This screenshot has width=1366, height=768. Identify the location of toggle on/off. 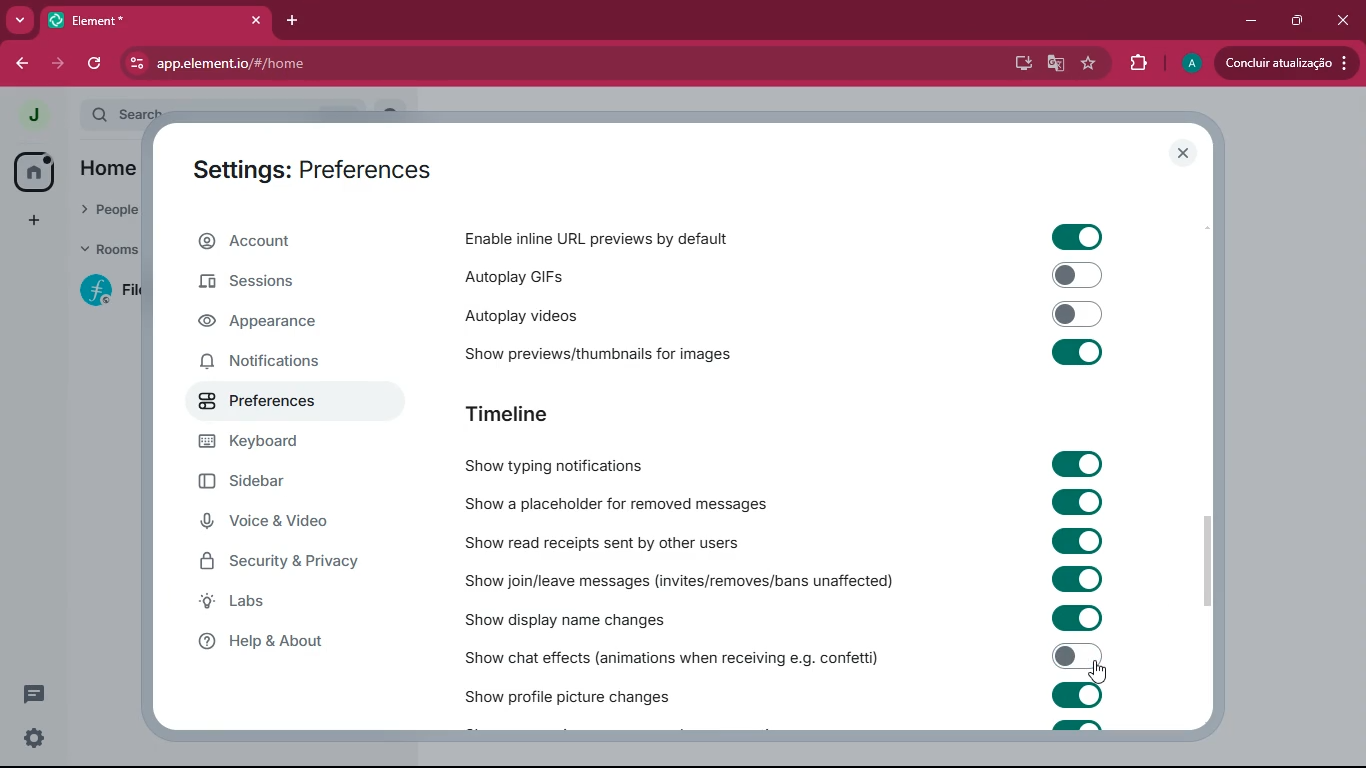
(1076, 618).